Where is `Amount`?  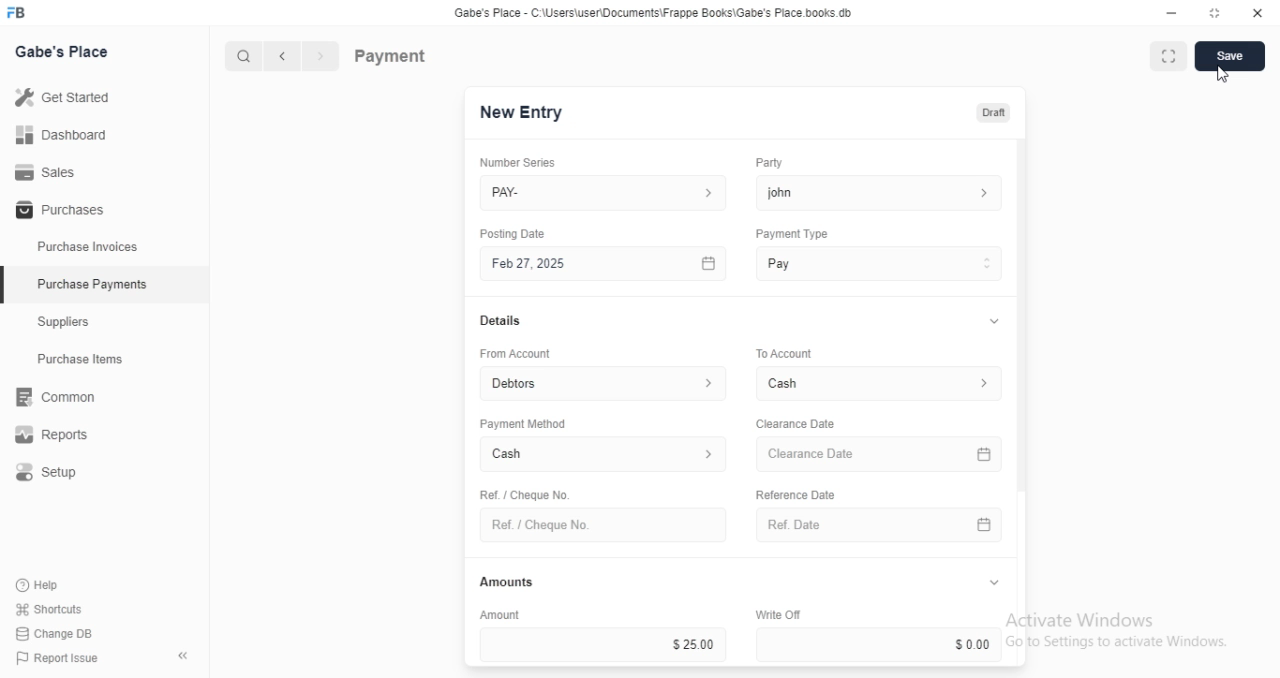 Amount is located at coordinates (497, 614).